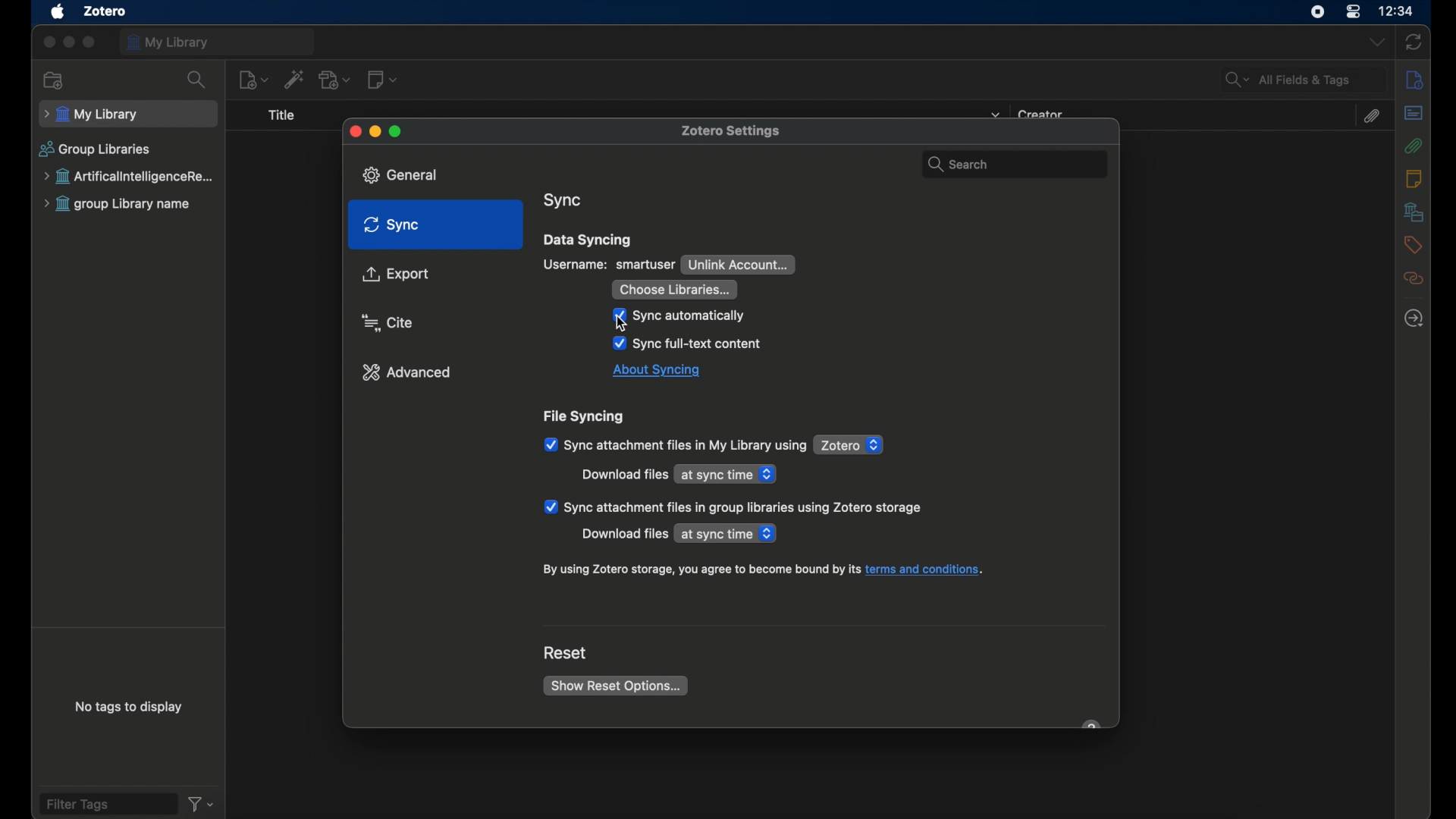 Image resolution: width=1456 pixels, height=819 pixels. What do you see at coordinates (406, 174) in the screenshot?
I see `general tab` at bounding box center [406, 174].